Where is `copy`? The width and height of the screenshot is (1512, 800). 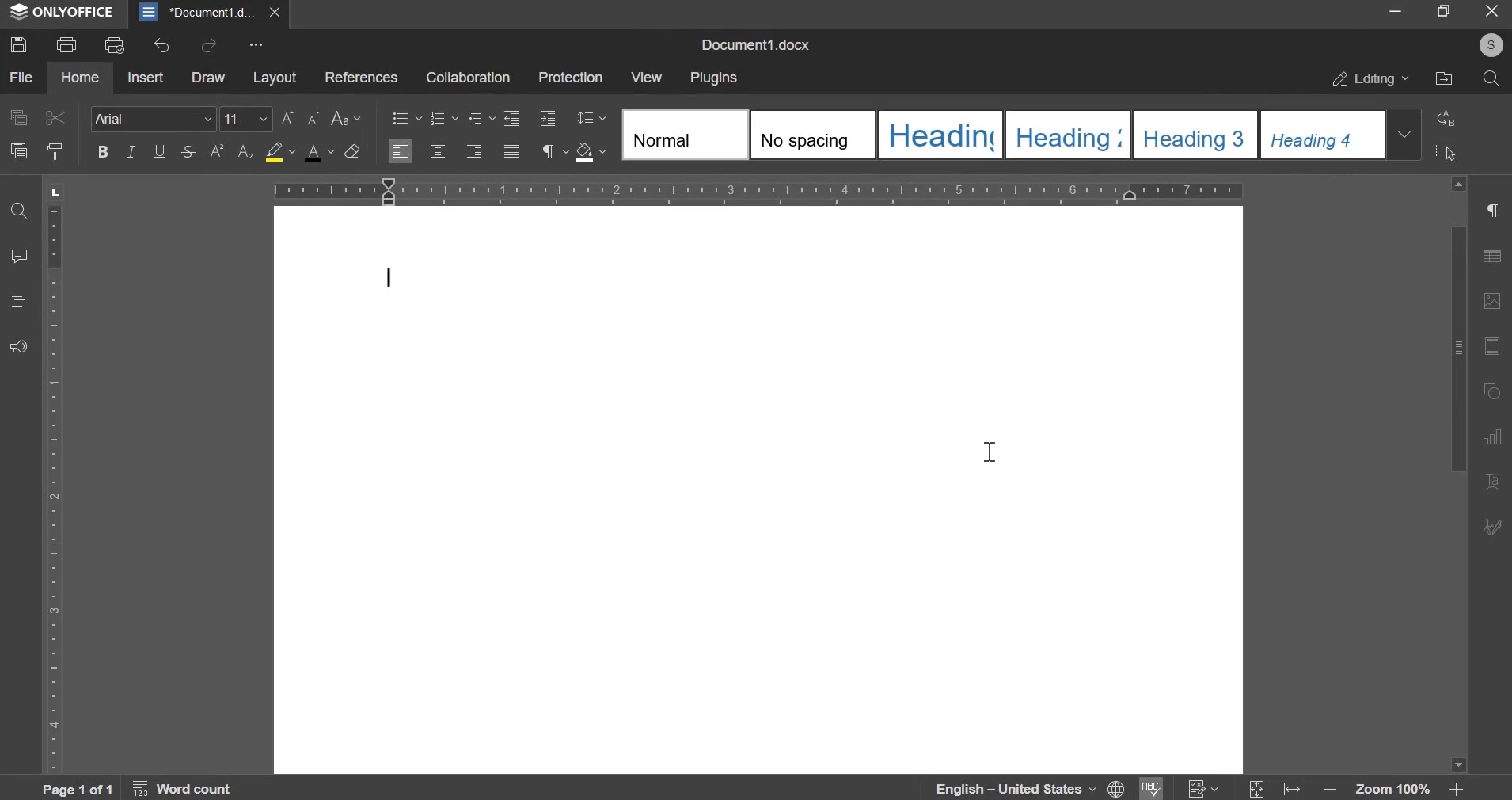
copy is located at coordinates (22, 120).